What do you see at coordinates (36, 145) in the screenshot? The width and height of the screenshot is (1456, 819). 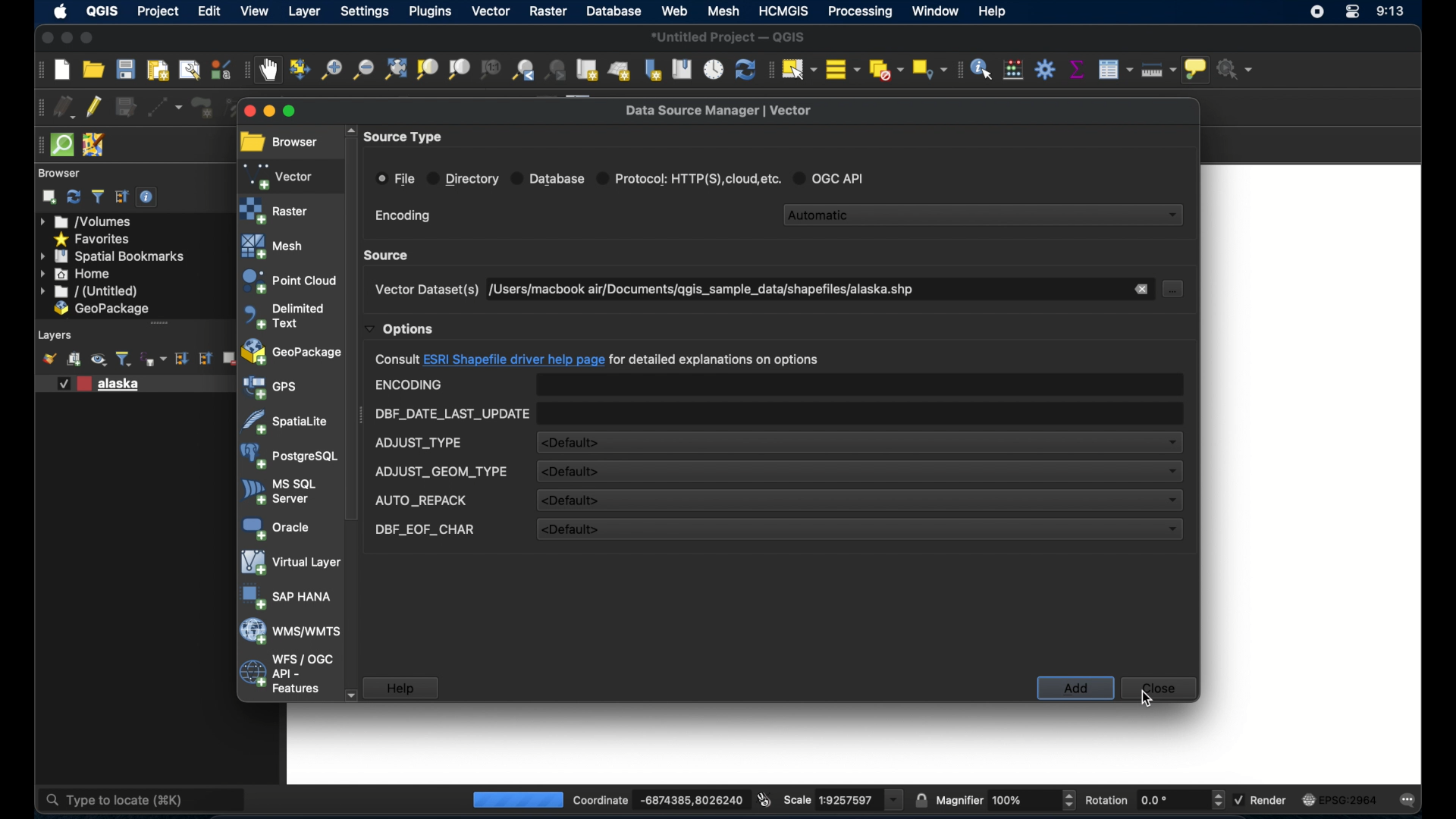 I see `drag handle` at bounding box center [36, 145].